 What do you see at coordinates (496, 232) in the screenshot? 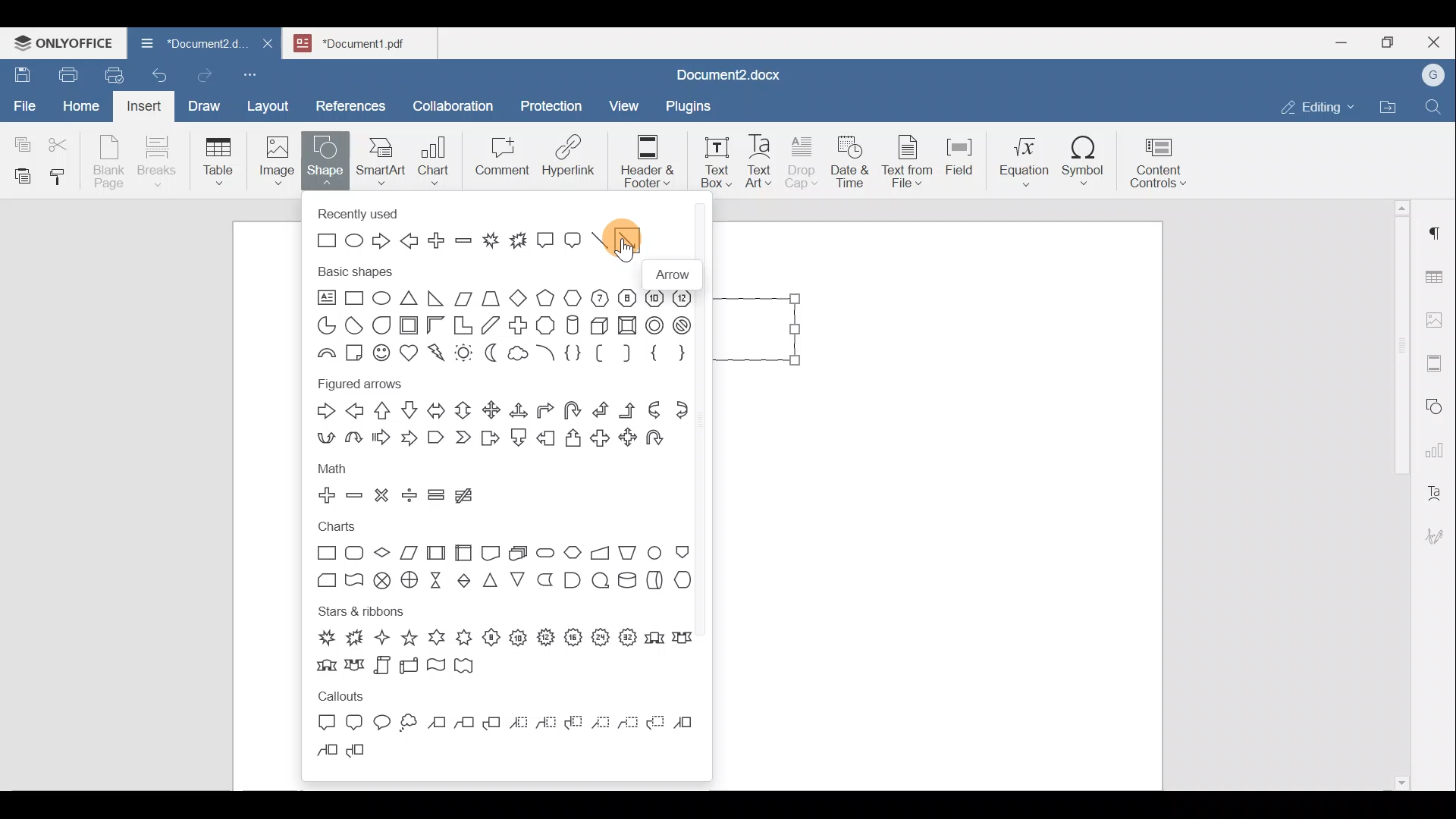
I see `Recently used shapes` at bounding box center [496, 232].